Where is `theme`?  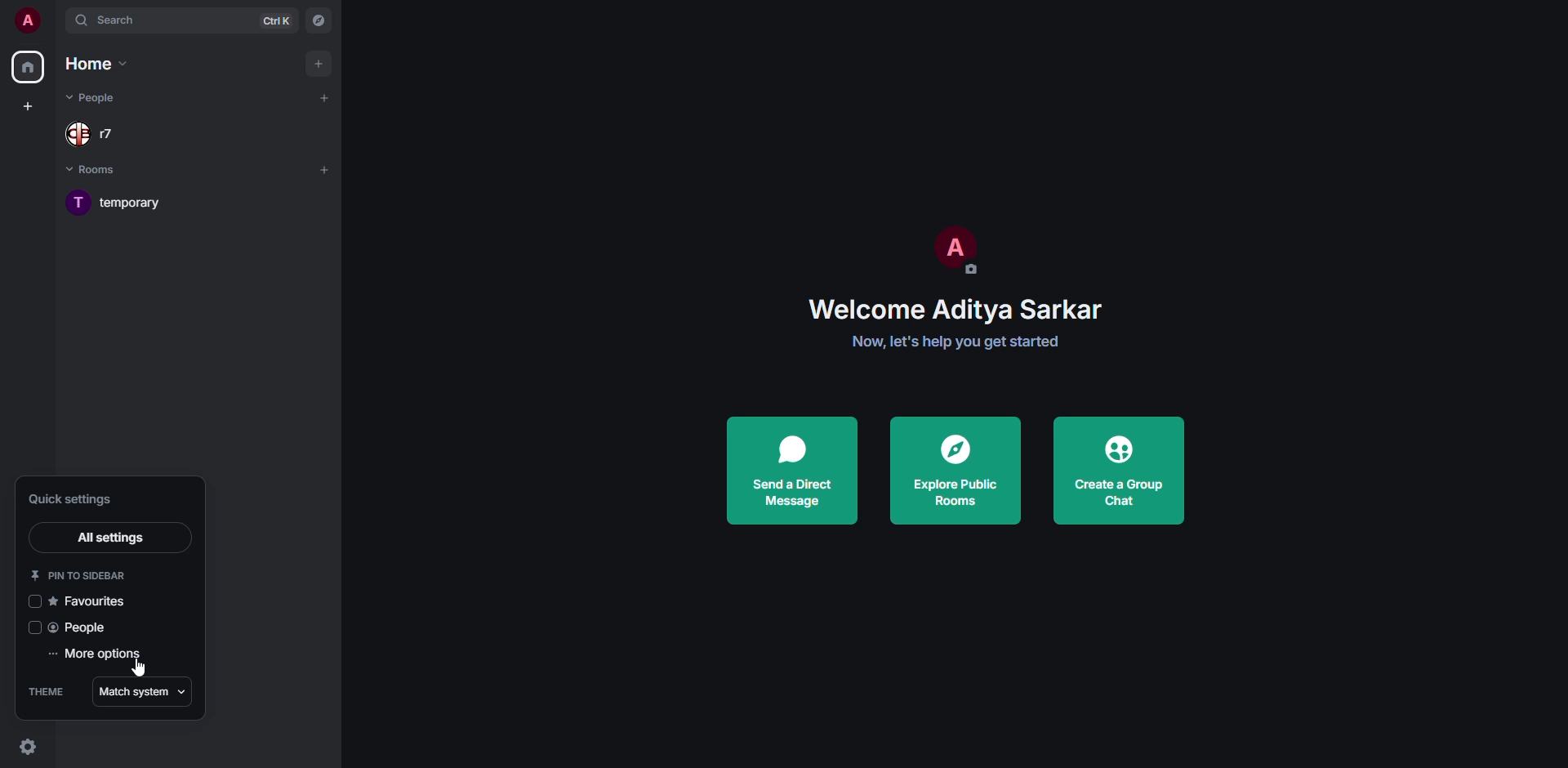
theme is located at coordinates (42, 691).